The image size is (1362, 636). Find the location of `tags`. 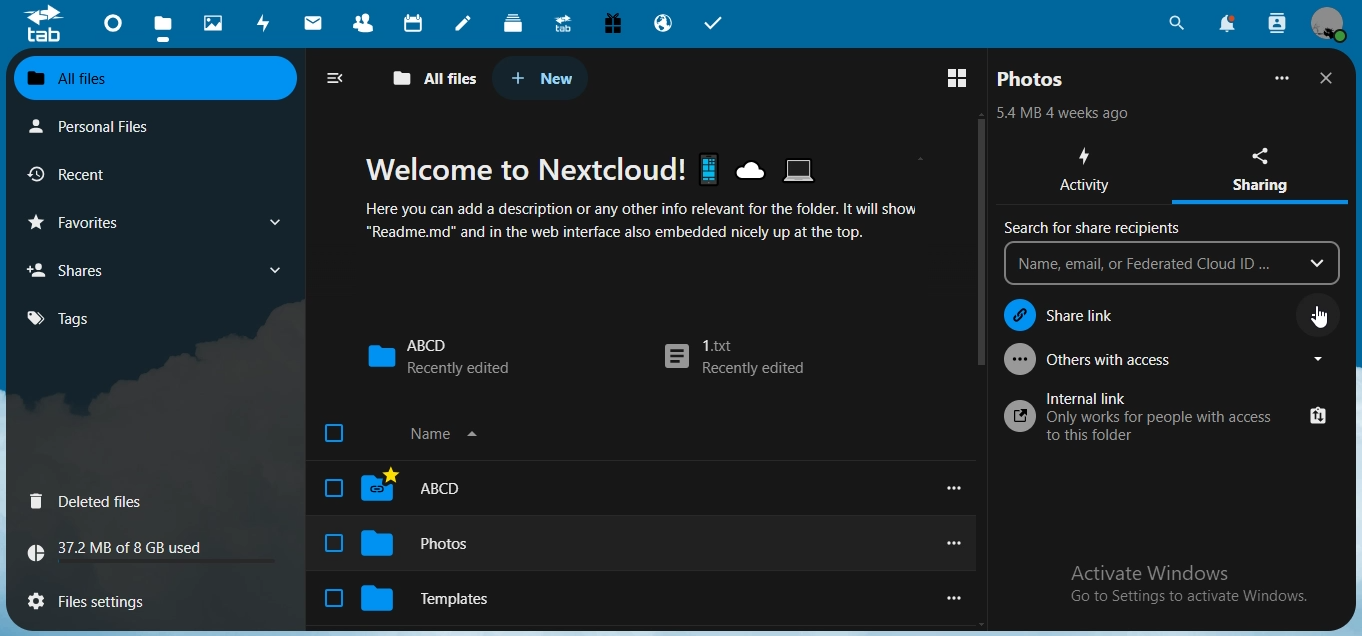

tags is located at coordinates (70, 318).